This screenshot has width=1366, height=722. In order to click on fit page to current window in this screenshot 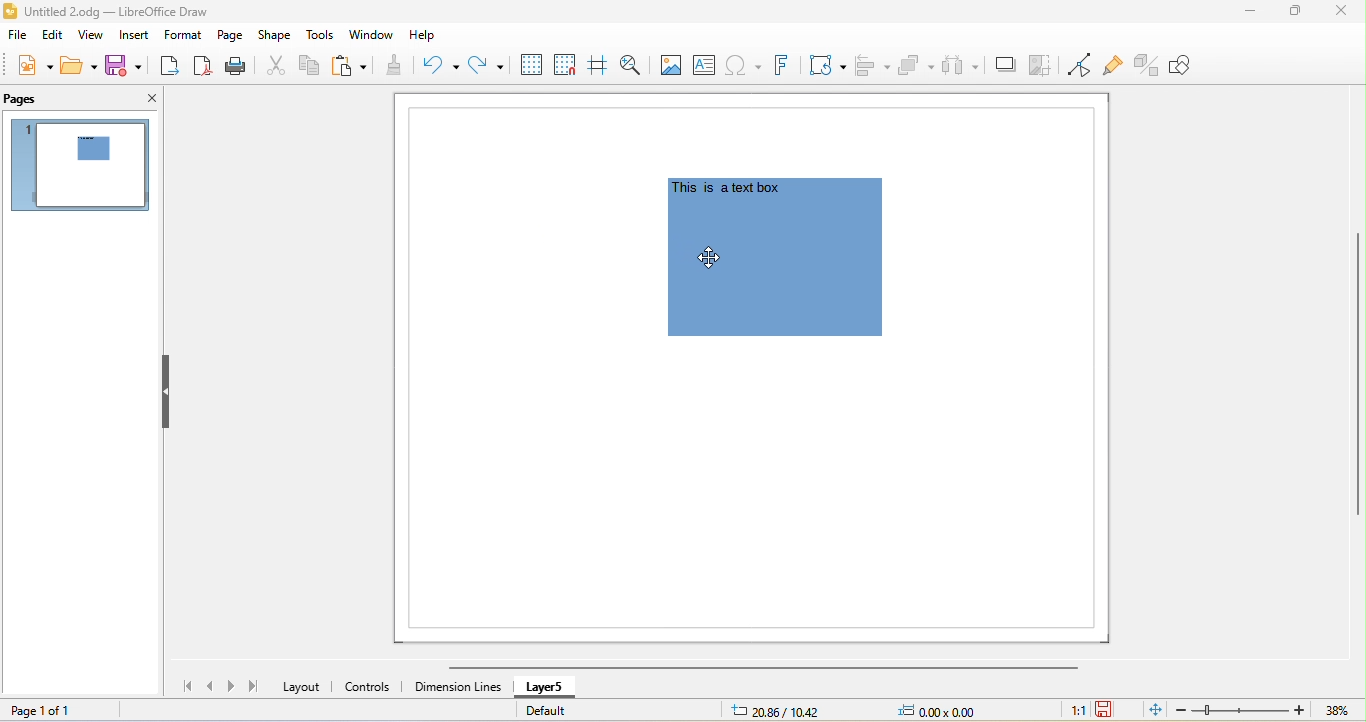, I will do `click(1154, 710)`.